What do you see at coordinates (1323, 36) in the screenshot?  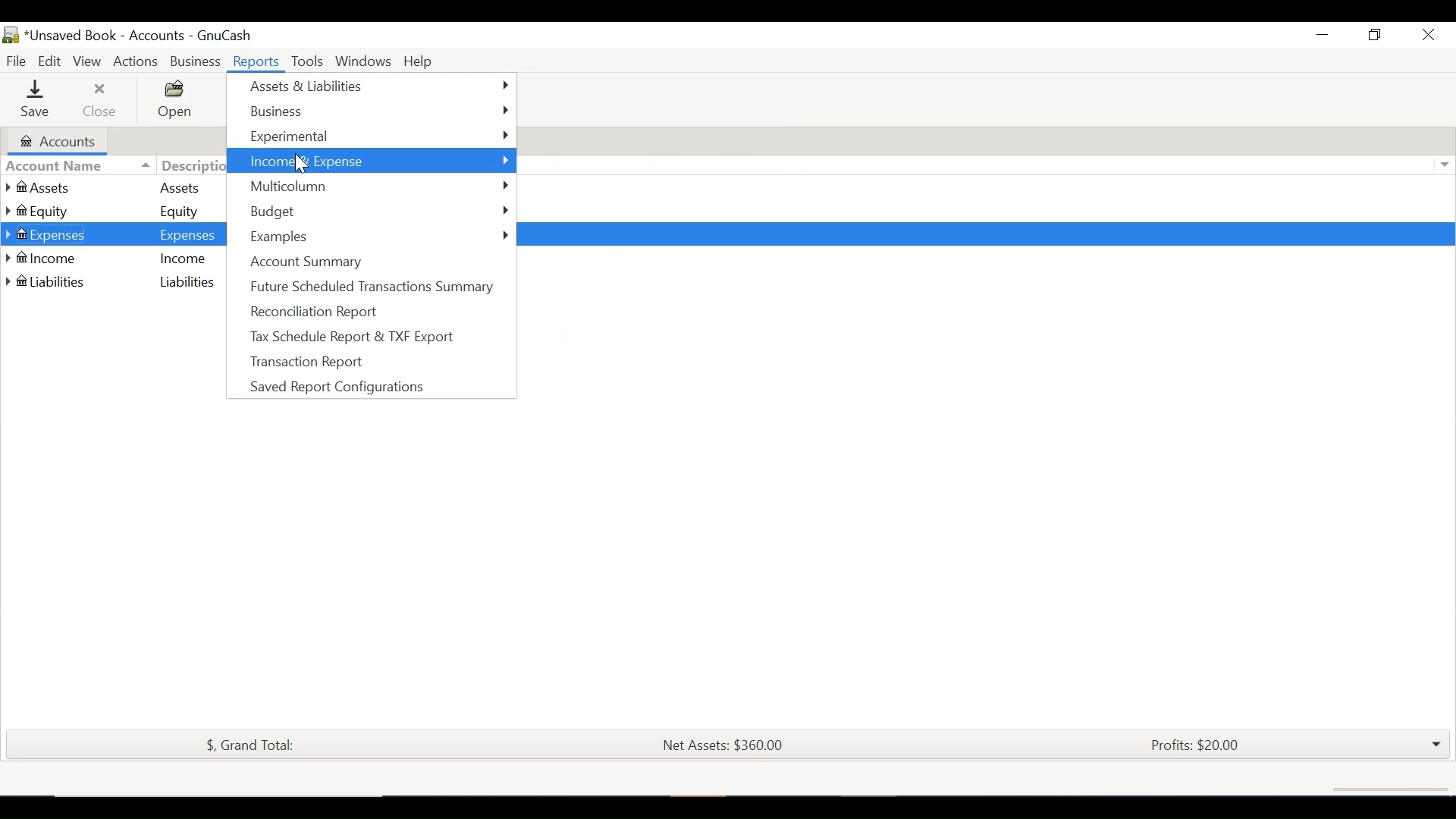 I see `Minimize` at bounding box center [1323, 36].